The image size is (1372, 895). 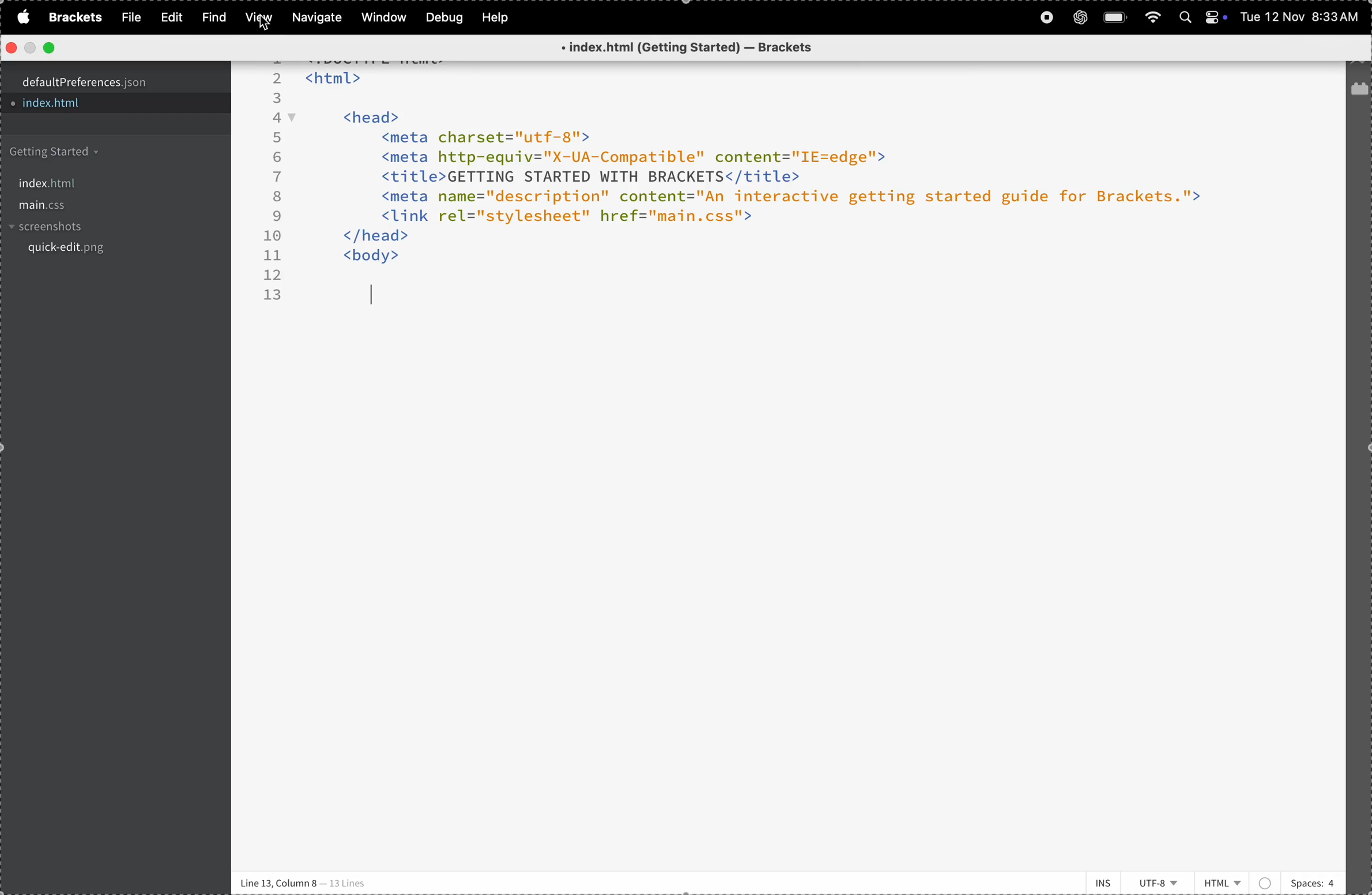 I want to click on Text cursor, so click(x=374, y=296).